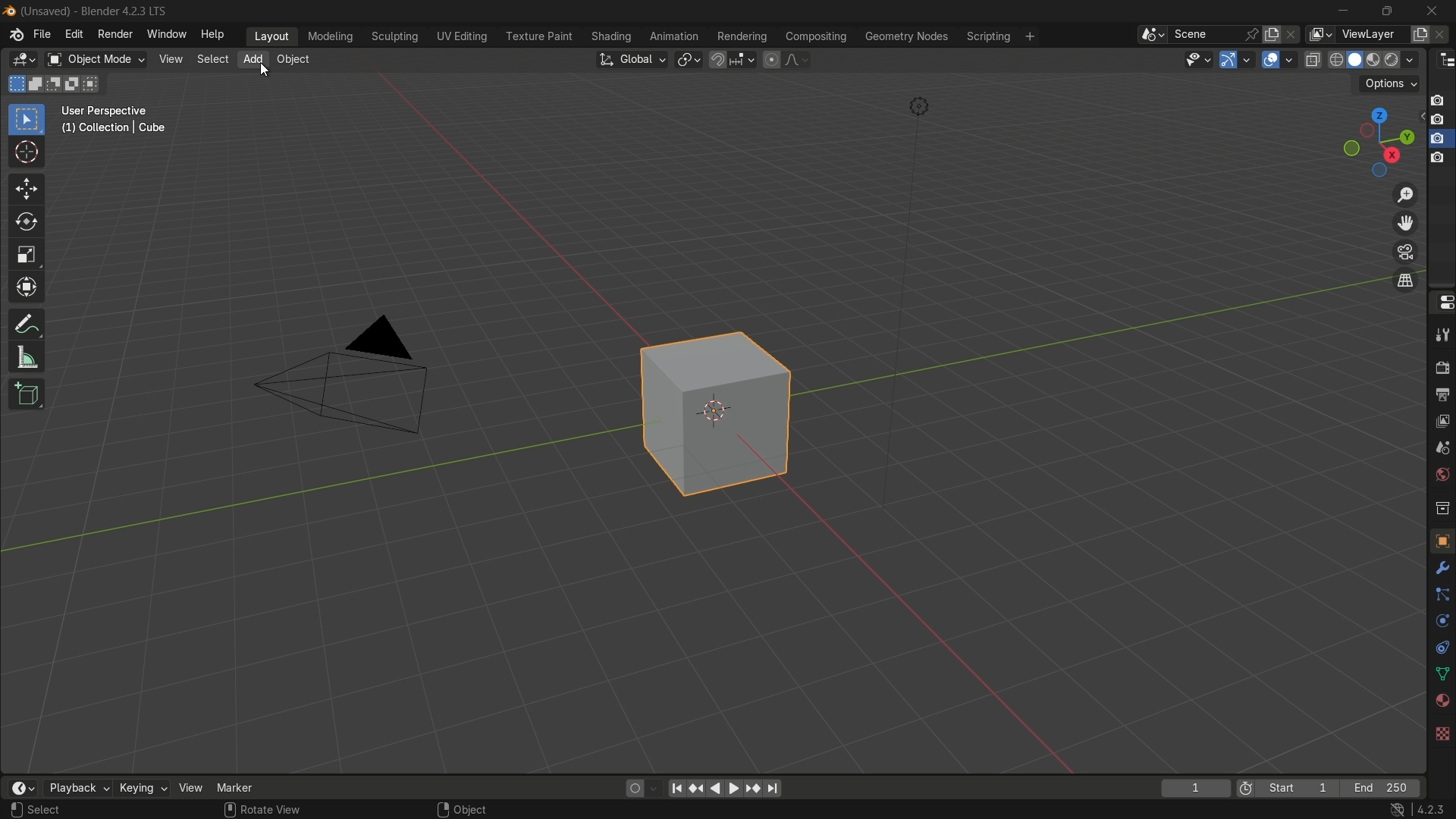 This screenshot has height=819, width=1456. I want to click on data, so click(1439, 675).